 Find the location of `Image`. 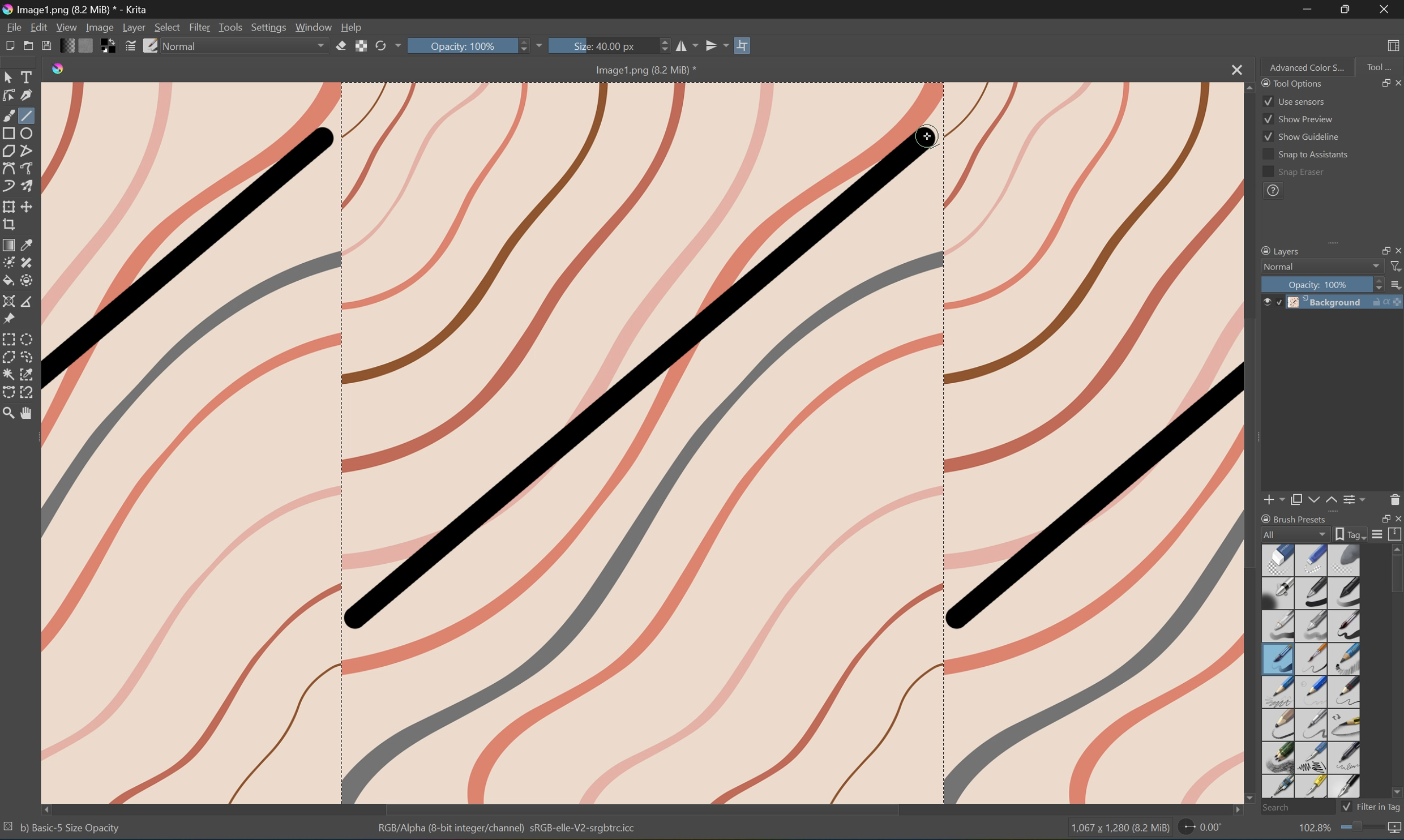

Image is located at coordinates (643, 443).